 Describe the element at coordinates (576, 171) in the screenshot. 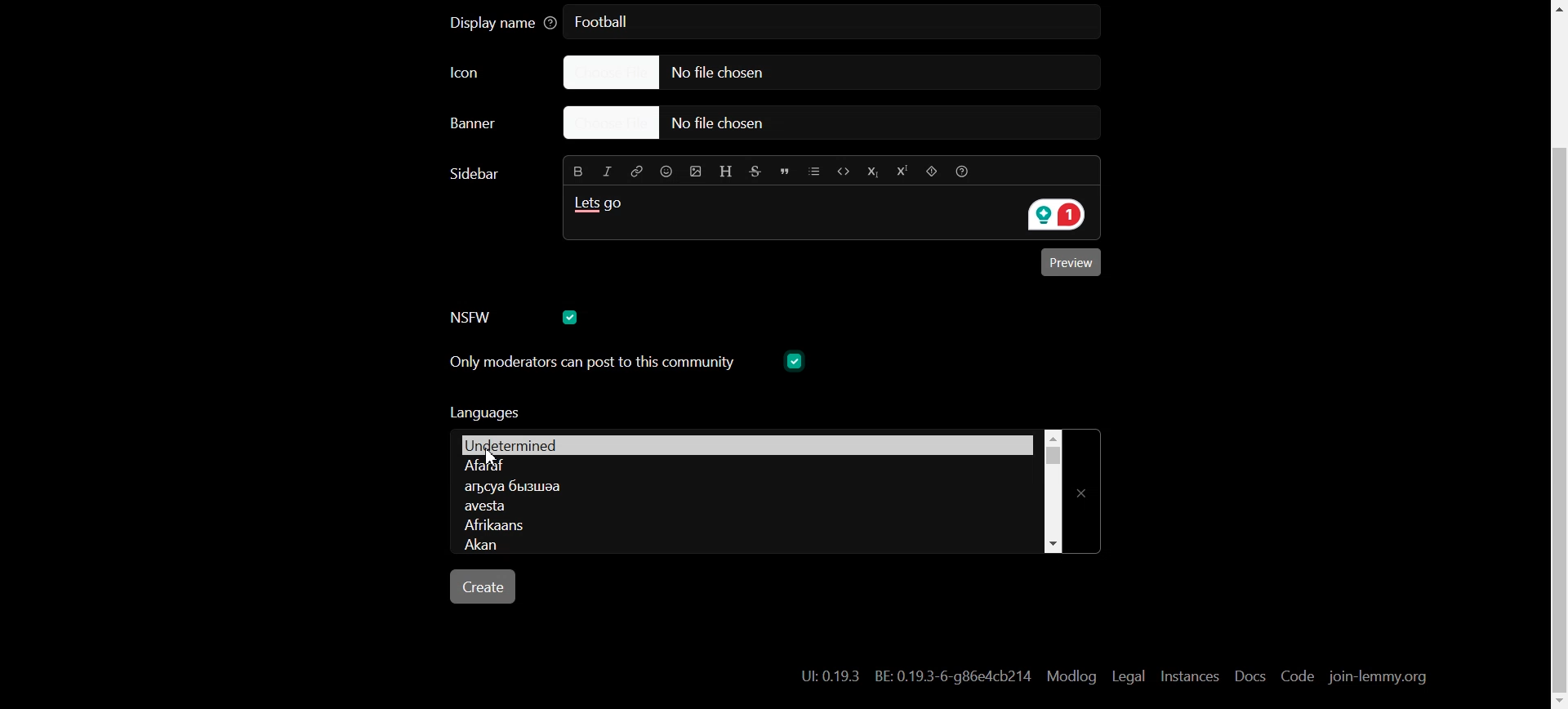

I see `Bold` at that location.